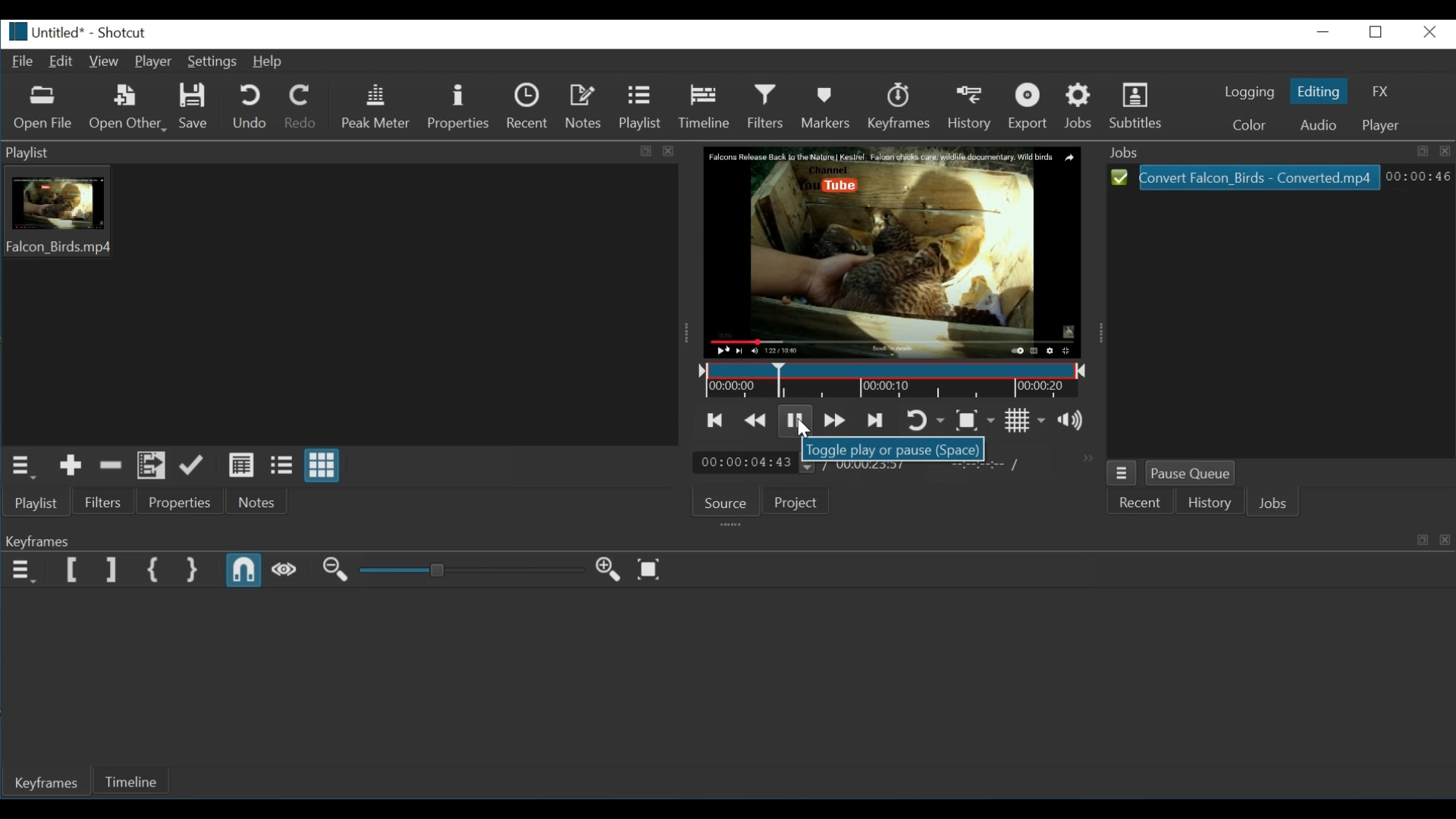 The image size is (1456, 819). I want to click on Add the Source to the playlist, so click(67, 466).